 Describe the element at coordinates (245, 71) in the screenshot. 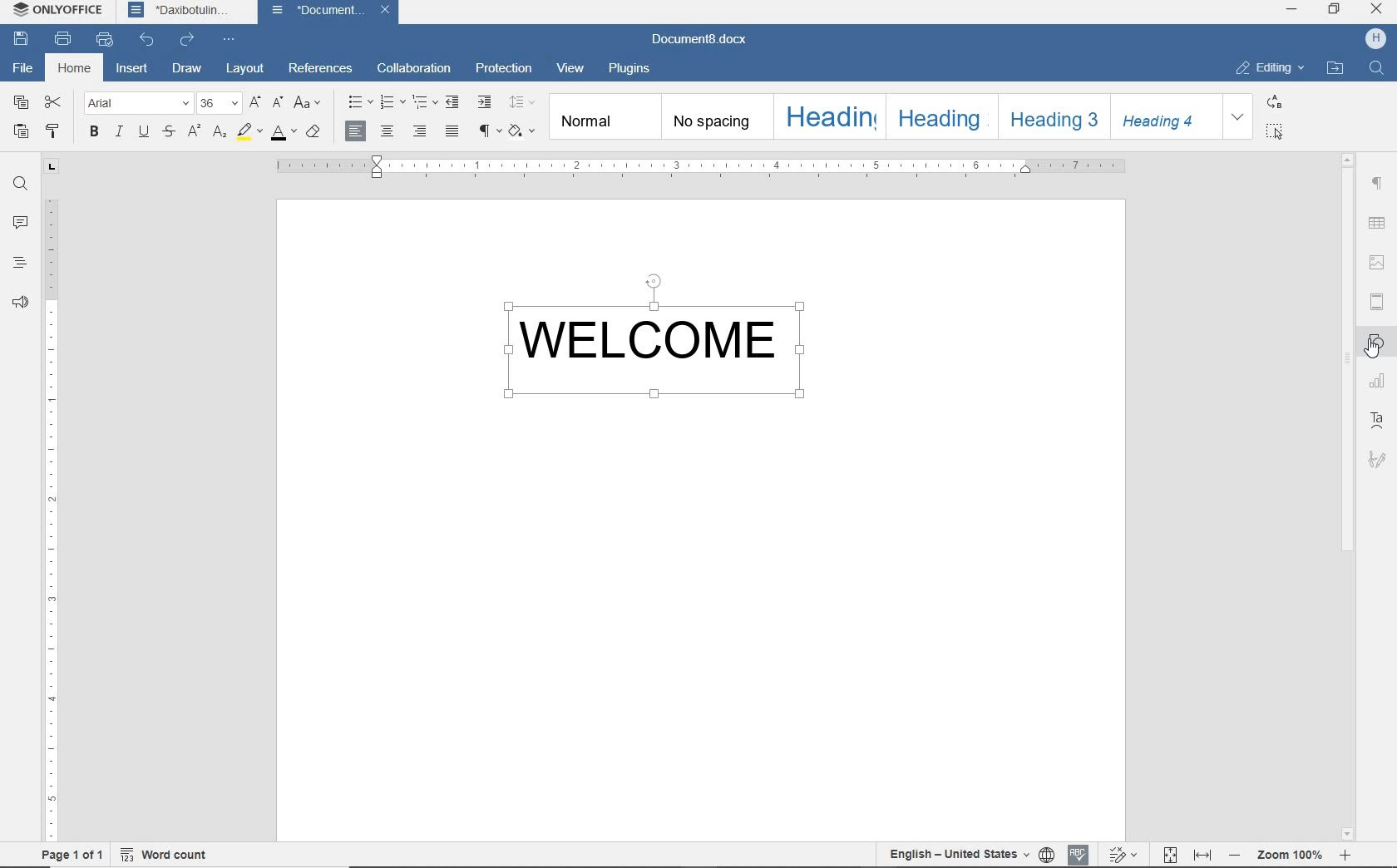

I see `LAYOUT` at that location.